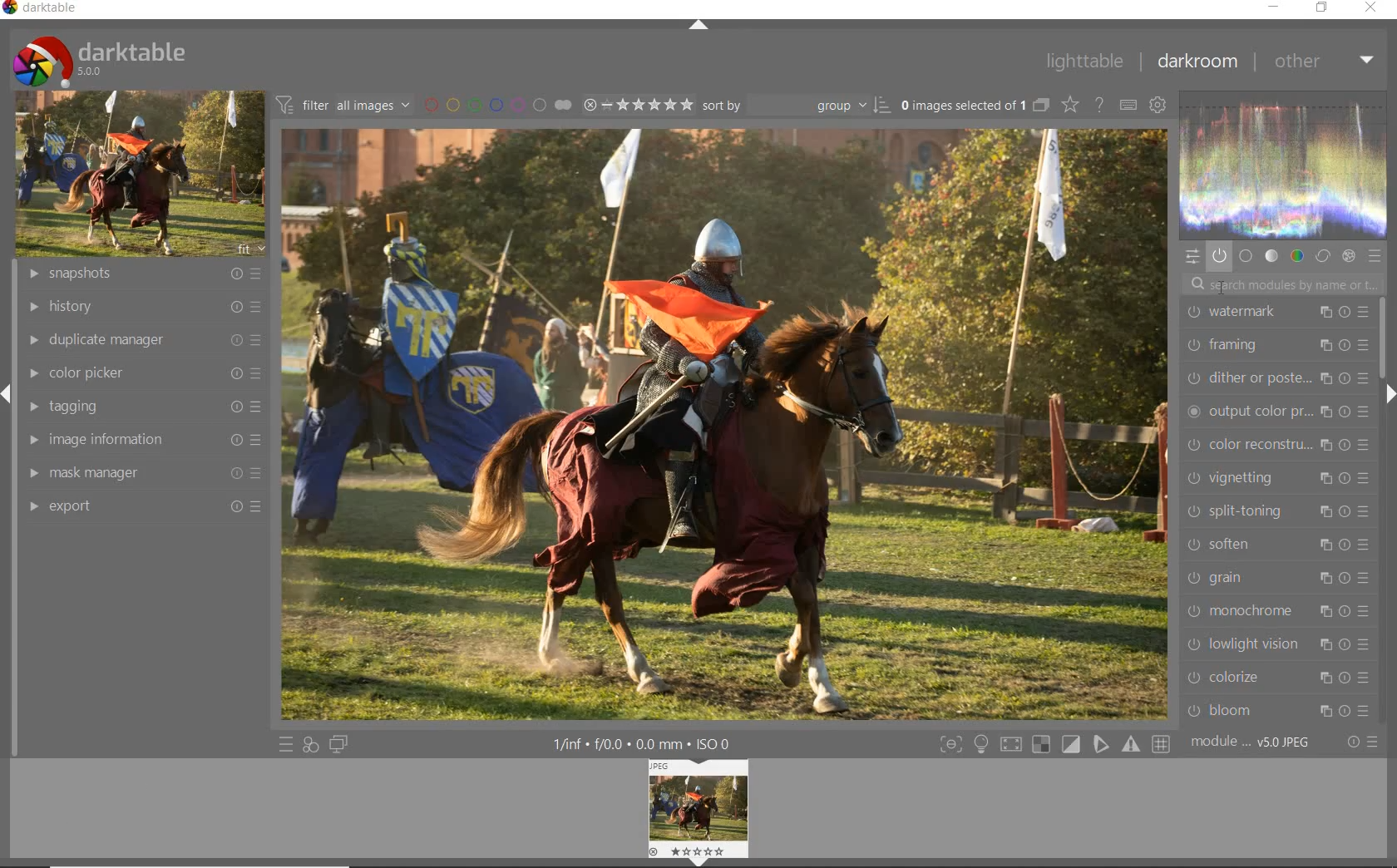 Image resolution: width=1397 pixels, height=868 pixels. What do you see at coordinates (1277, 408) in the screenshot?
I see `output color preset` at bounding box center [1277, 408].